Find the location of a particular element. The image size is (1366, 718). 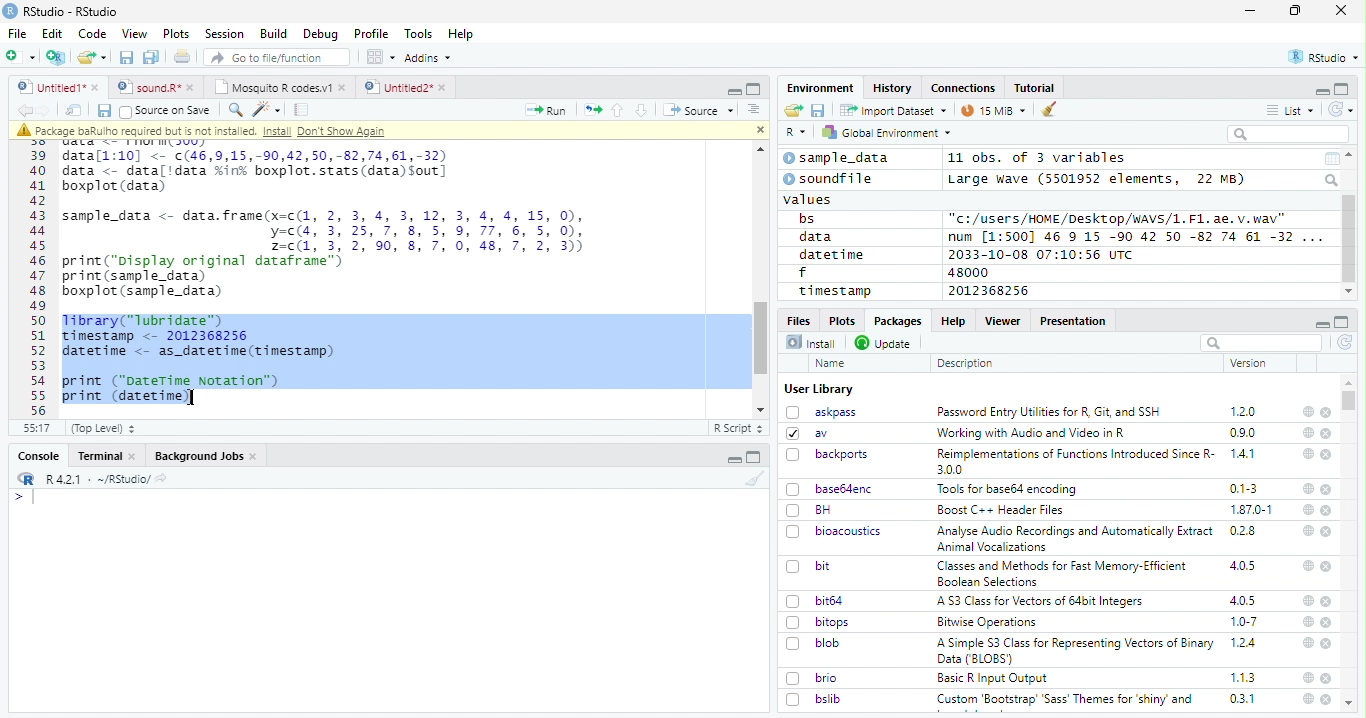

Password Entry Utilities for R, Git, and SSH is located at coordinates (1049, 412).